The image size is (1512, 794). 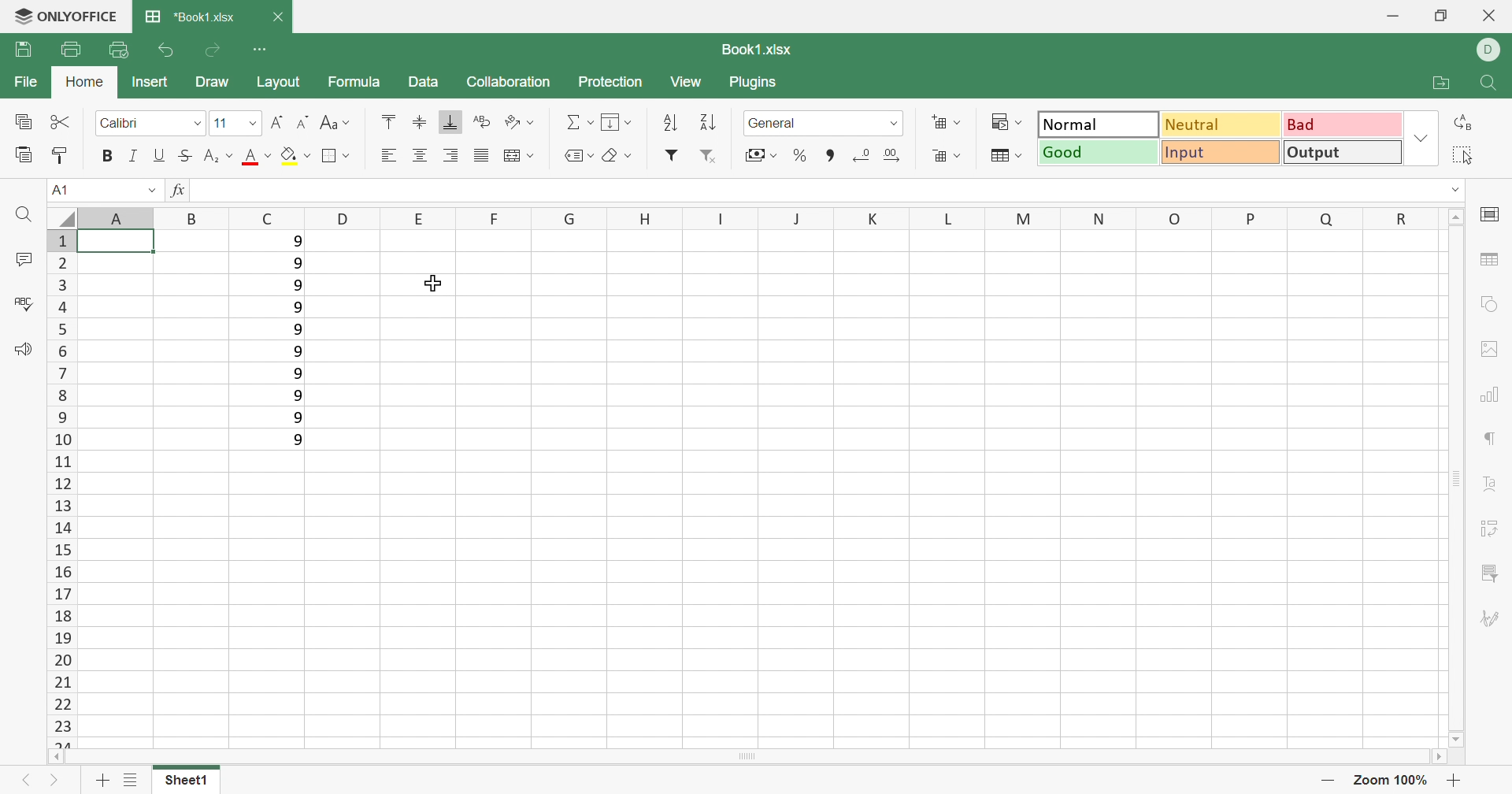 I want to click on Replace, so click(x=1464, y=124).